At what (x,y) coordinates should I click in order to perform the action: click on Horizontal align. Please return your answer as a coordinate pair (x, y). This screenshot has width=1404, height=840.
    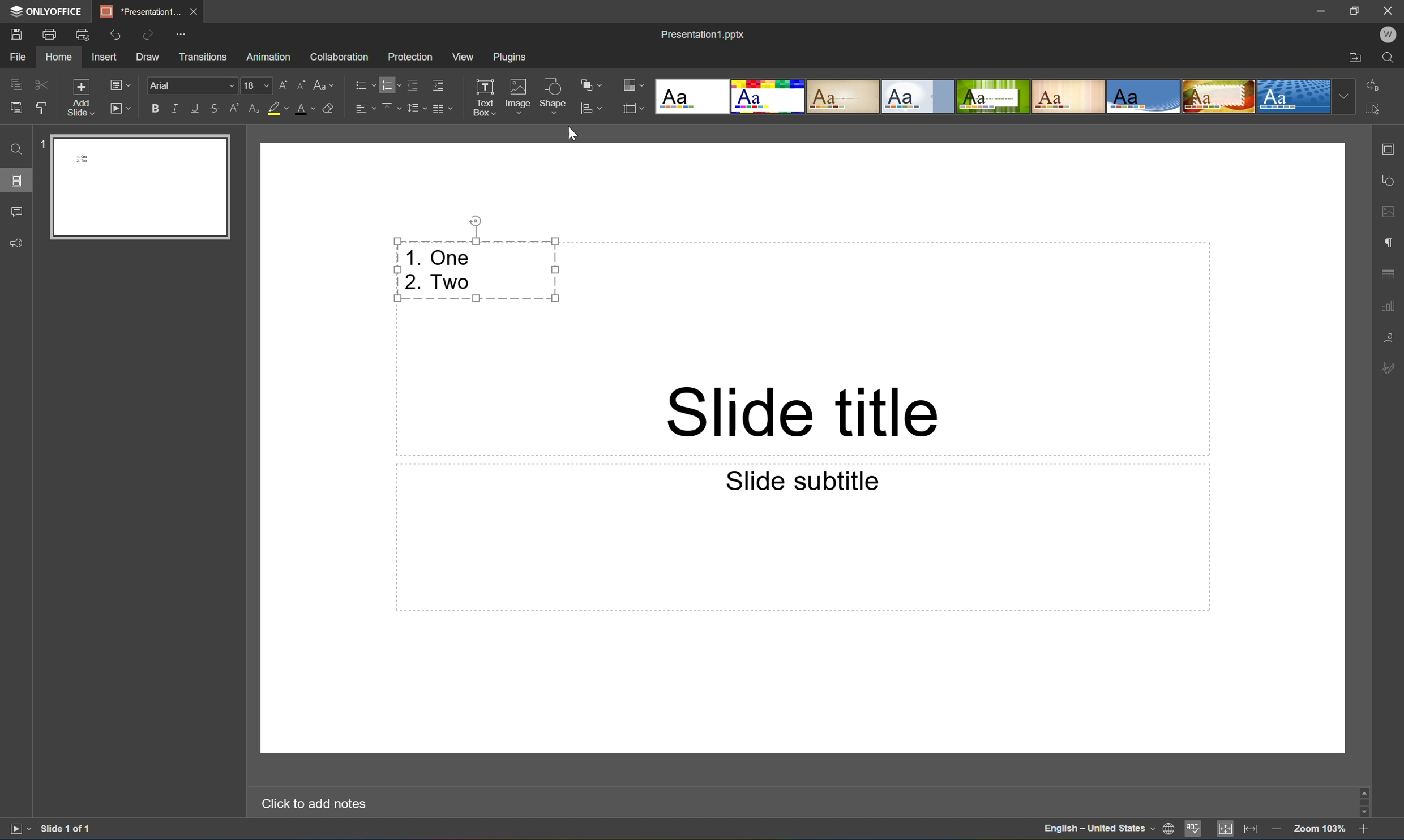
    Looking at the image, I should click on (363, 107).